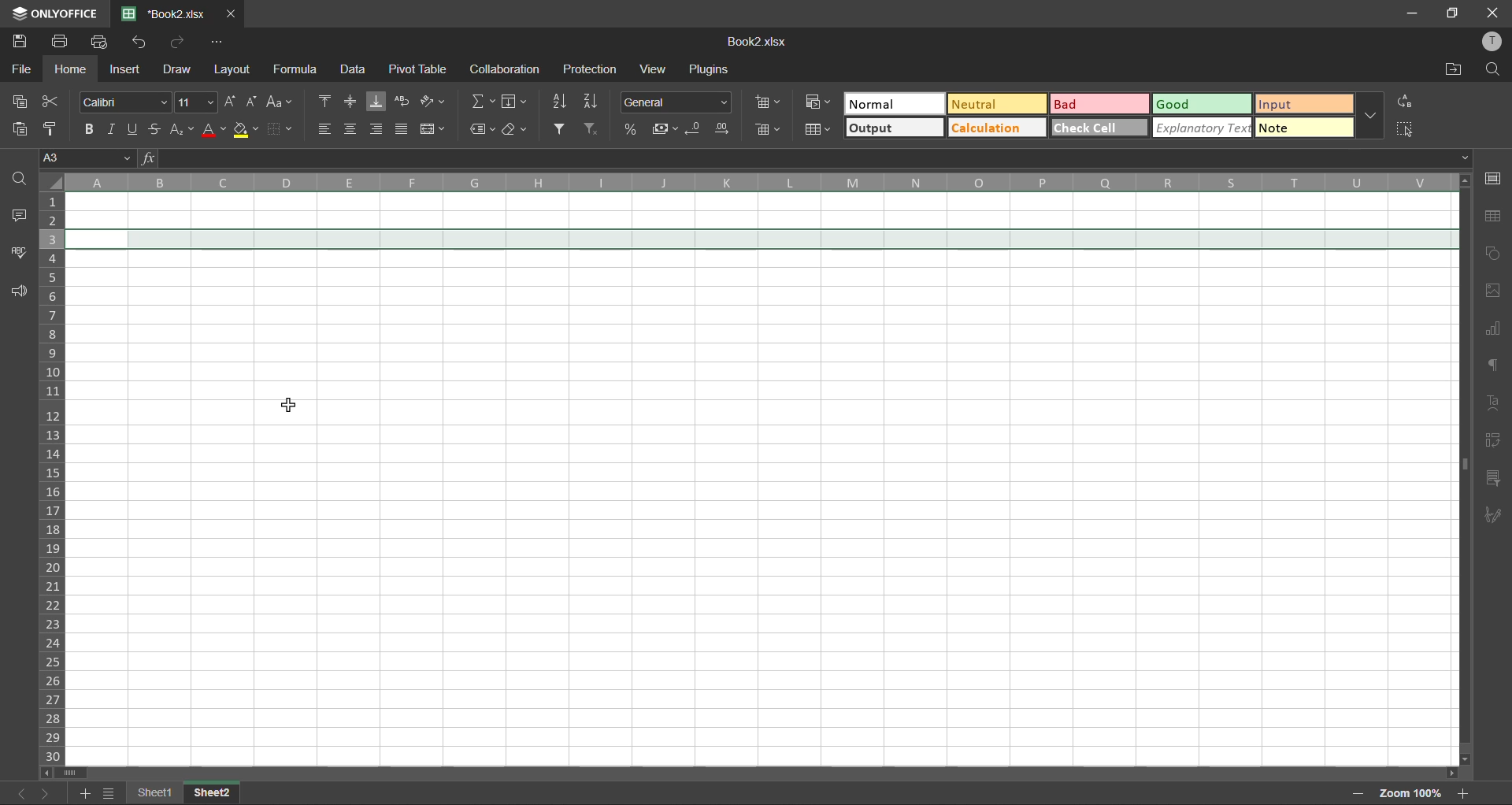 Image resolution: width=1512 pixels, height=805 pixels. I want to click on *Book2.xlsx, so click(167, 13).